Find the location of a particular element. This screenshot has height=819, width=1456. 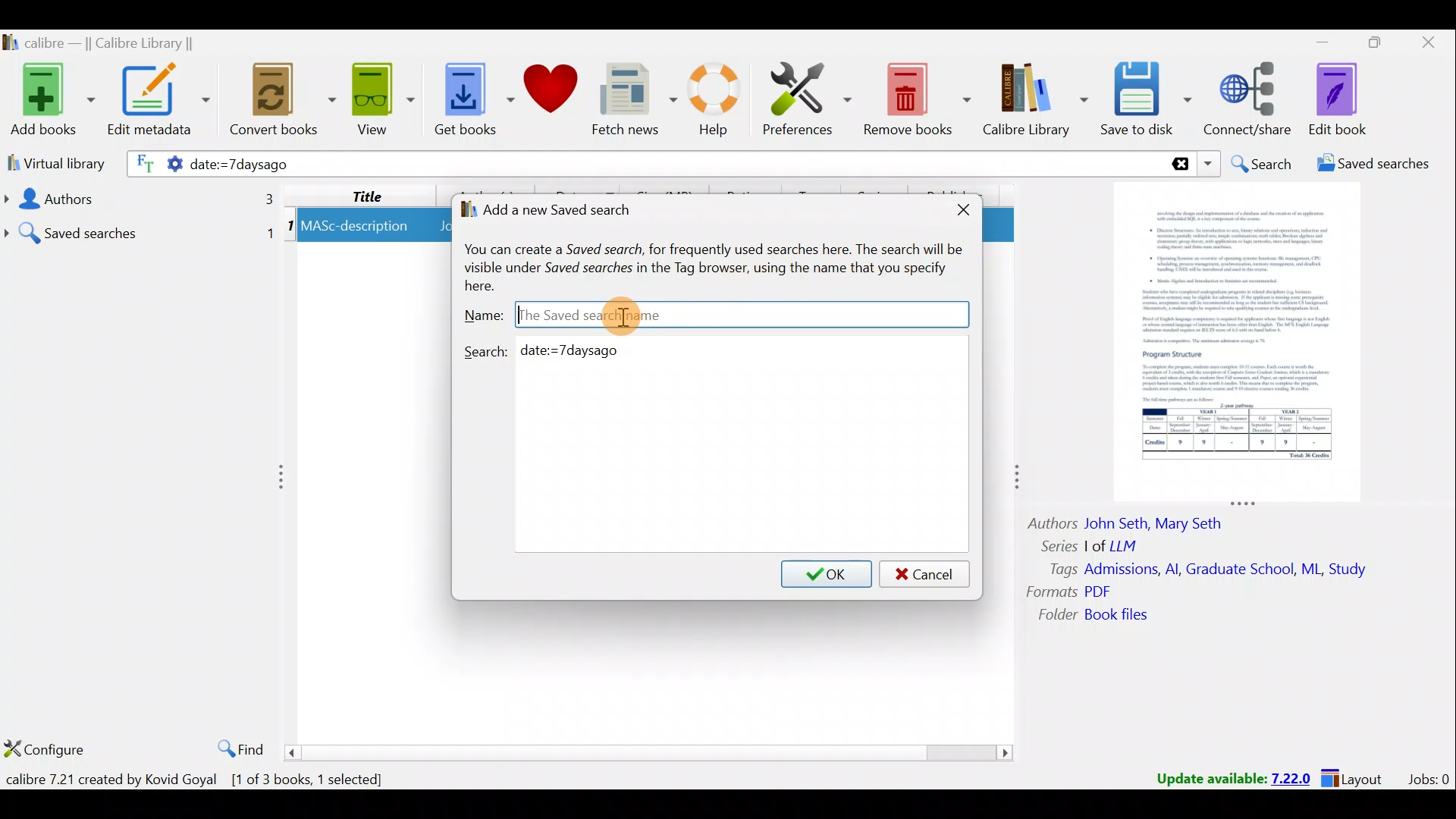

Calibre library is located at coordinates (1037, 101).